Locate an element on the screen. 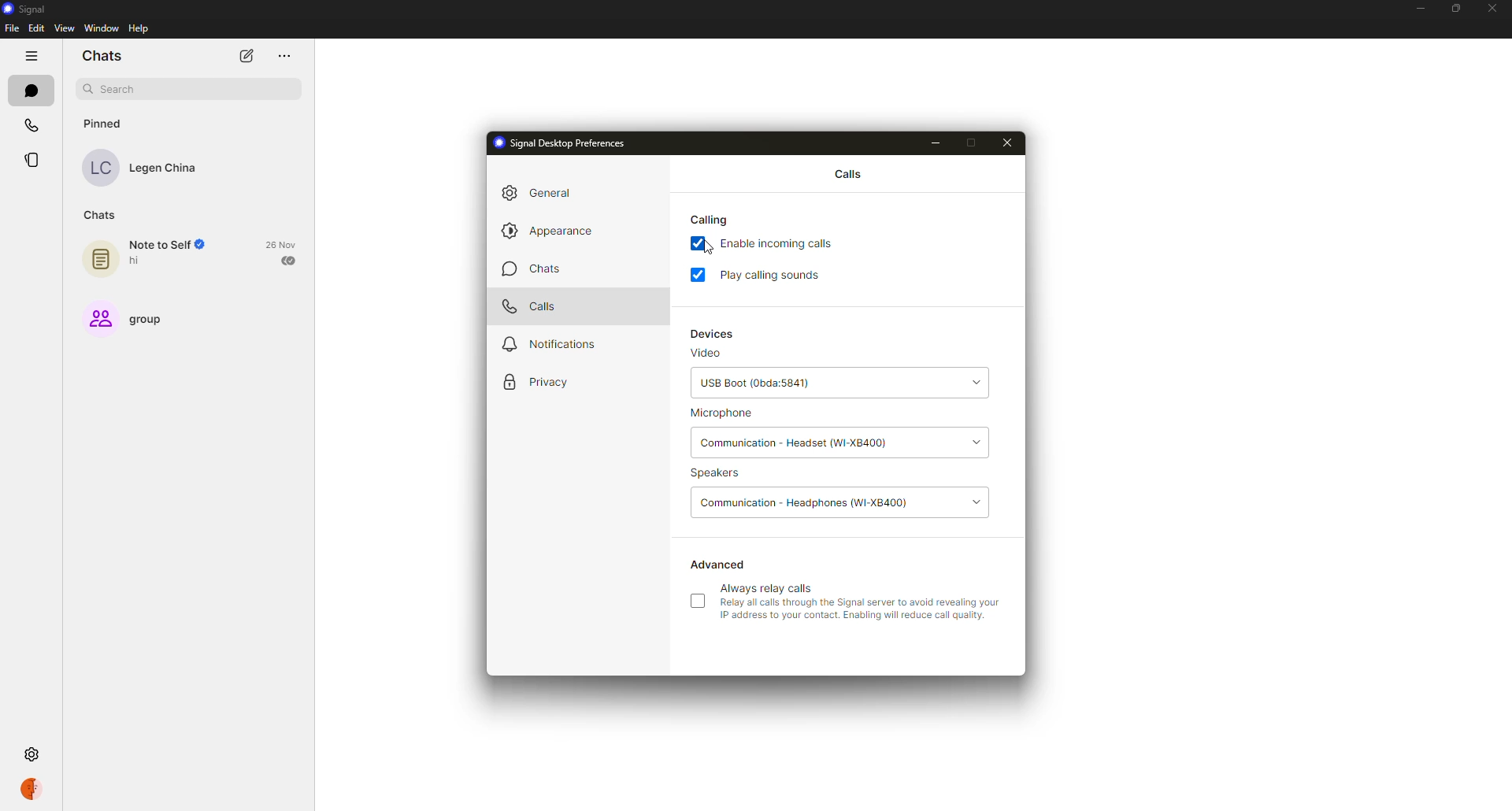  play calling sounds is located at coordinates (775, 275).